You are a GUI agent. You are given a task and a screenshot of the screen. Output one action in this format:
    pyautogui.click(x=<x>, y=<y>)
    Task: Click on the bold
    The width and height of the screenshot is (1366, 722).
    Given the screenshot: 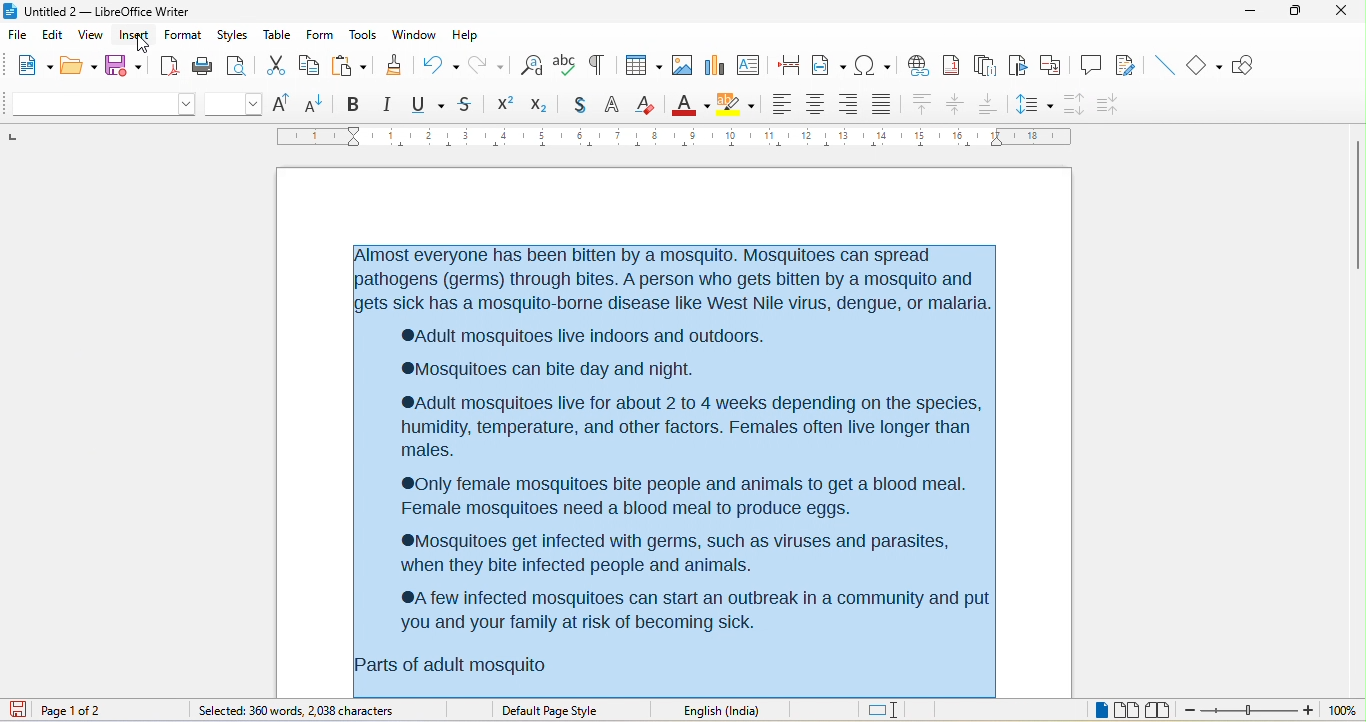 What is the action you would take?
    pyautogui.click(x=353, y=103)
    